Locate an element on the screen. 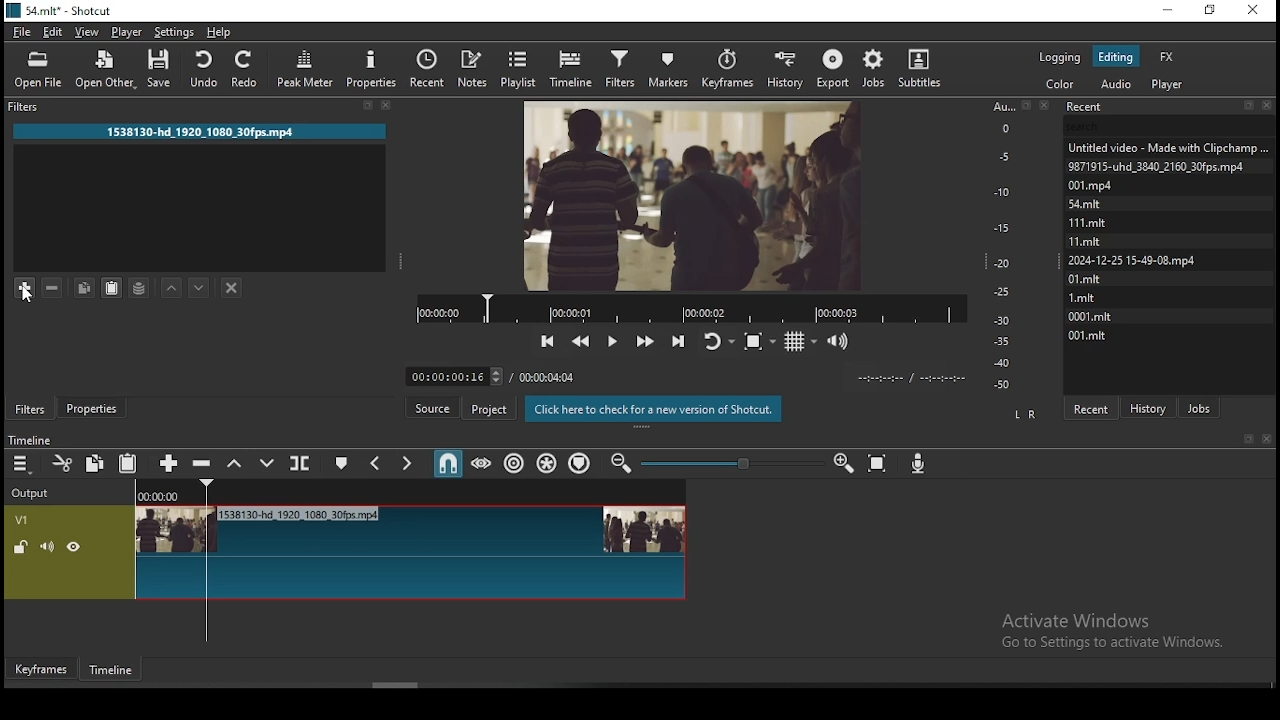 The height and width of the screenshot is (720, 1280). audio is located at coordinates (1116, 84).